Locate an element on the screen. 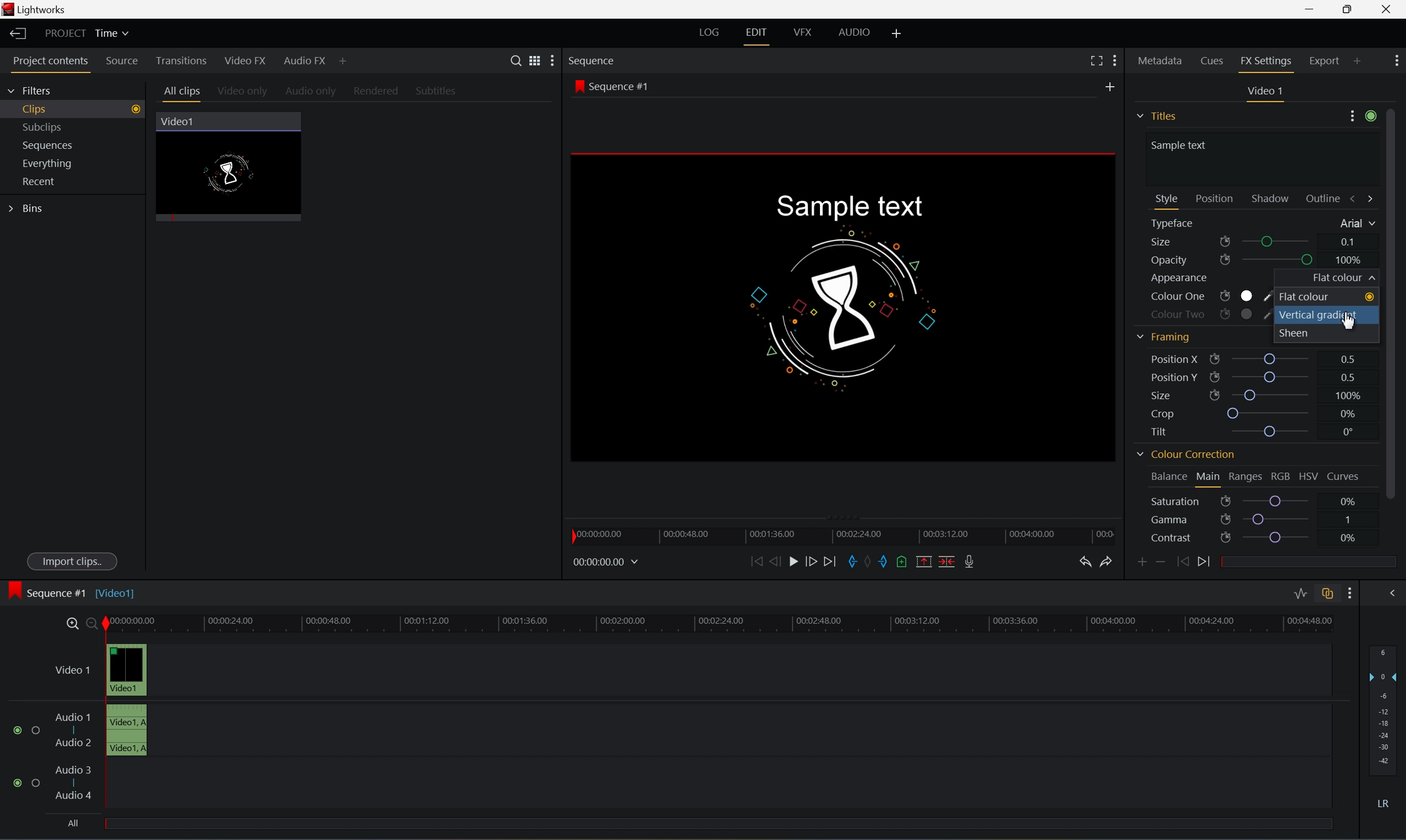 The width and height of the screenshot is (1406, 840). video tracks is located at coordinates (127, 698).